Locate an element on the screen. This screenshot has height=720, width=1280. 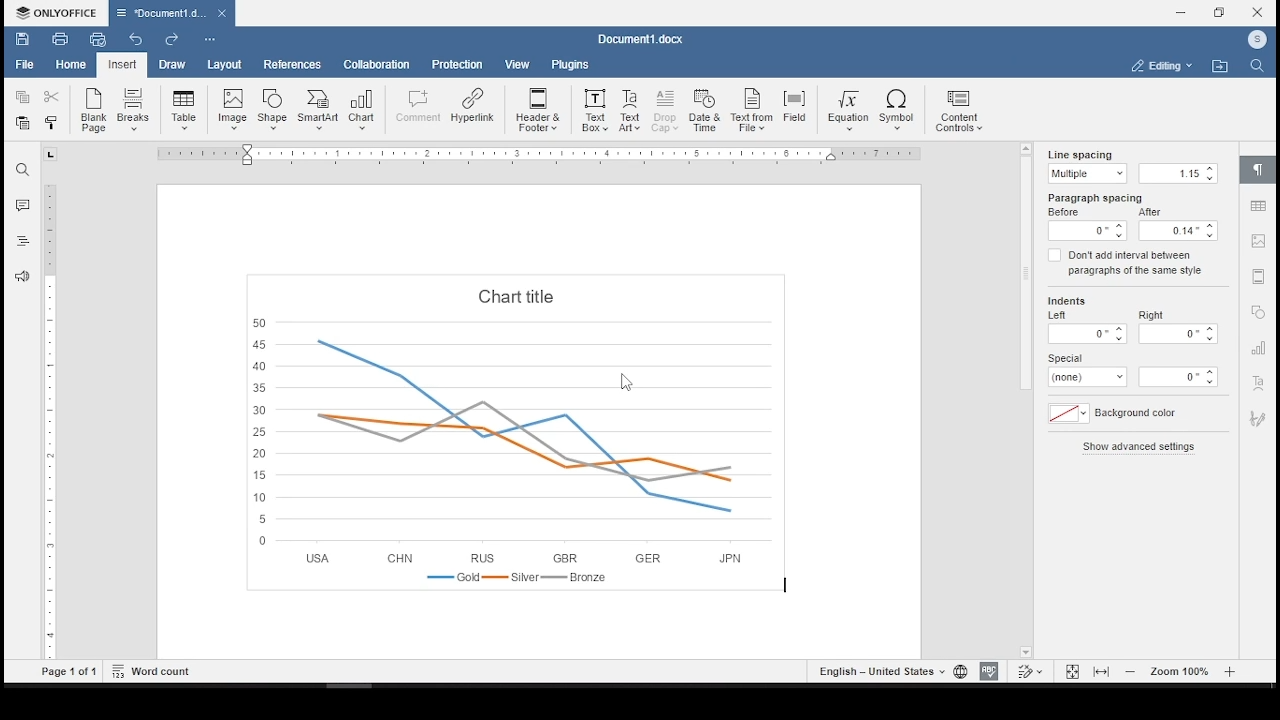
redo is located at coordinates (171, 40).